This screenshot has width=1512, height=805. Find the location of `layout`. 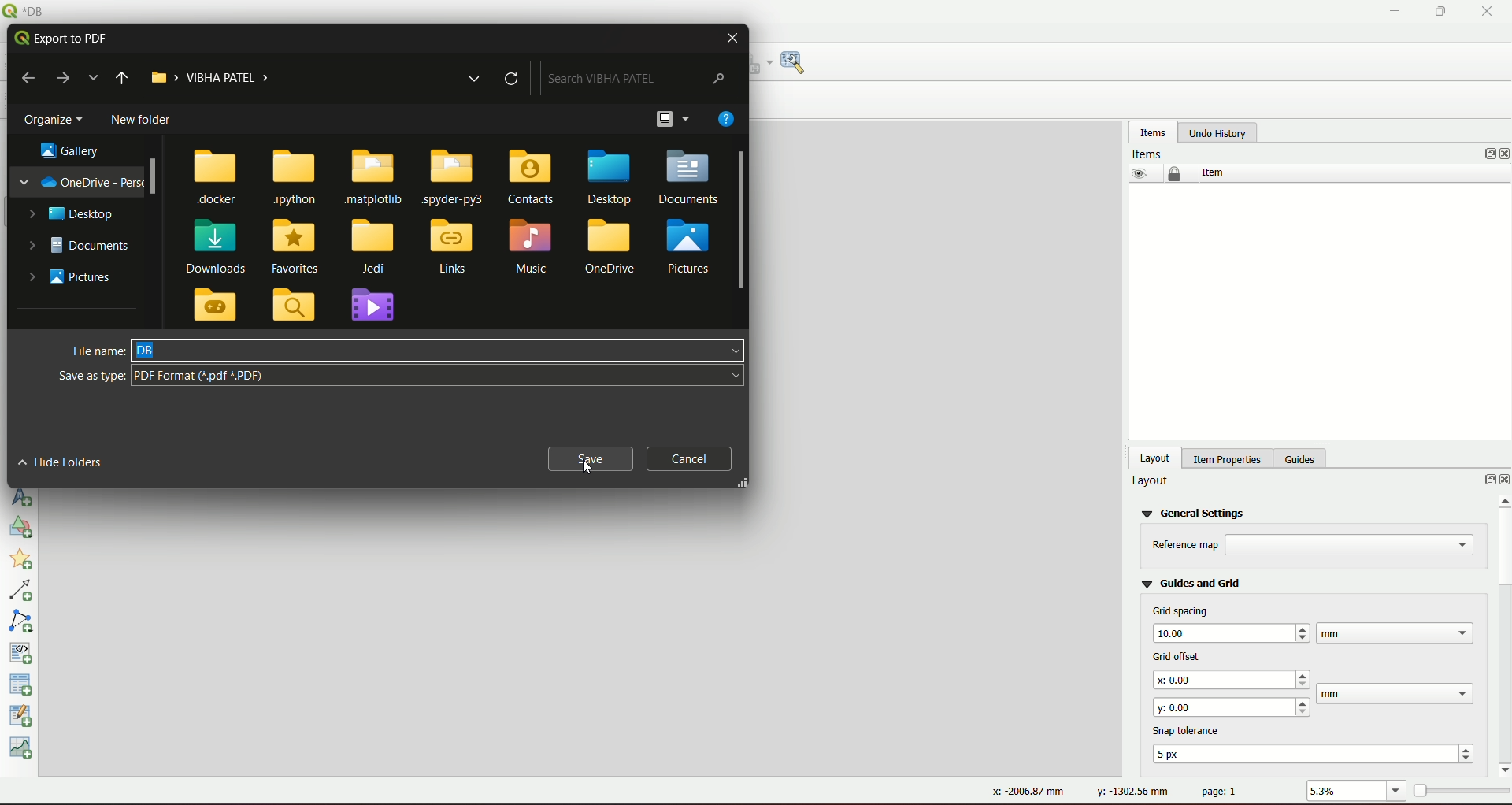

layout is located at coordinates (1156, 457).